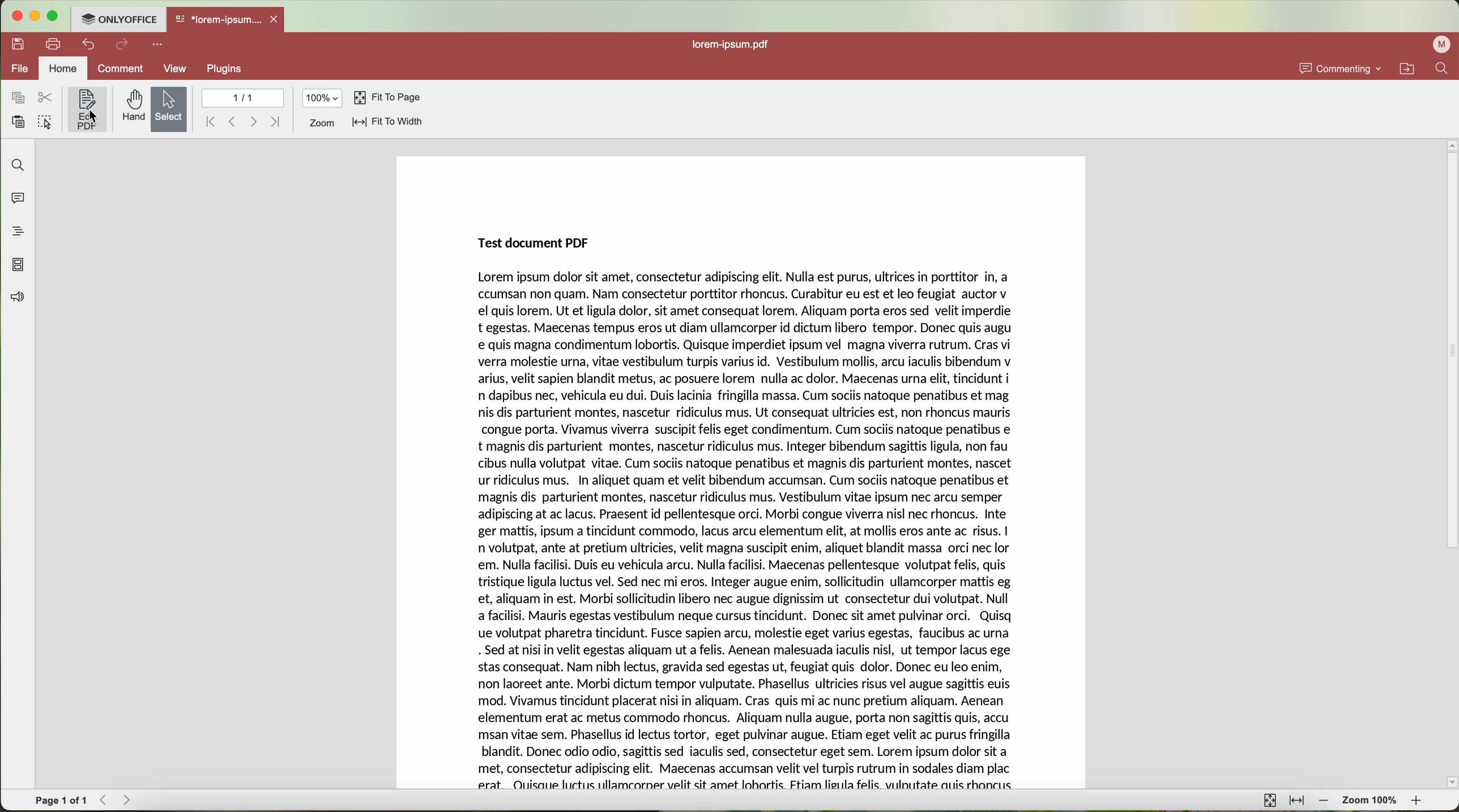  What do you see at coordinates (15, 43) in the screenshot?
I see `save` at bounding box center [15, 43].